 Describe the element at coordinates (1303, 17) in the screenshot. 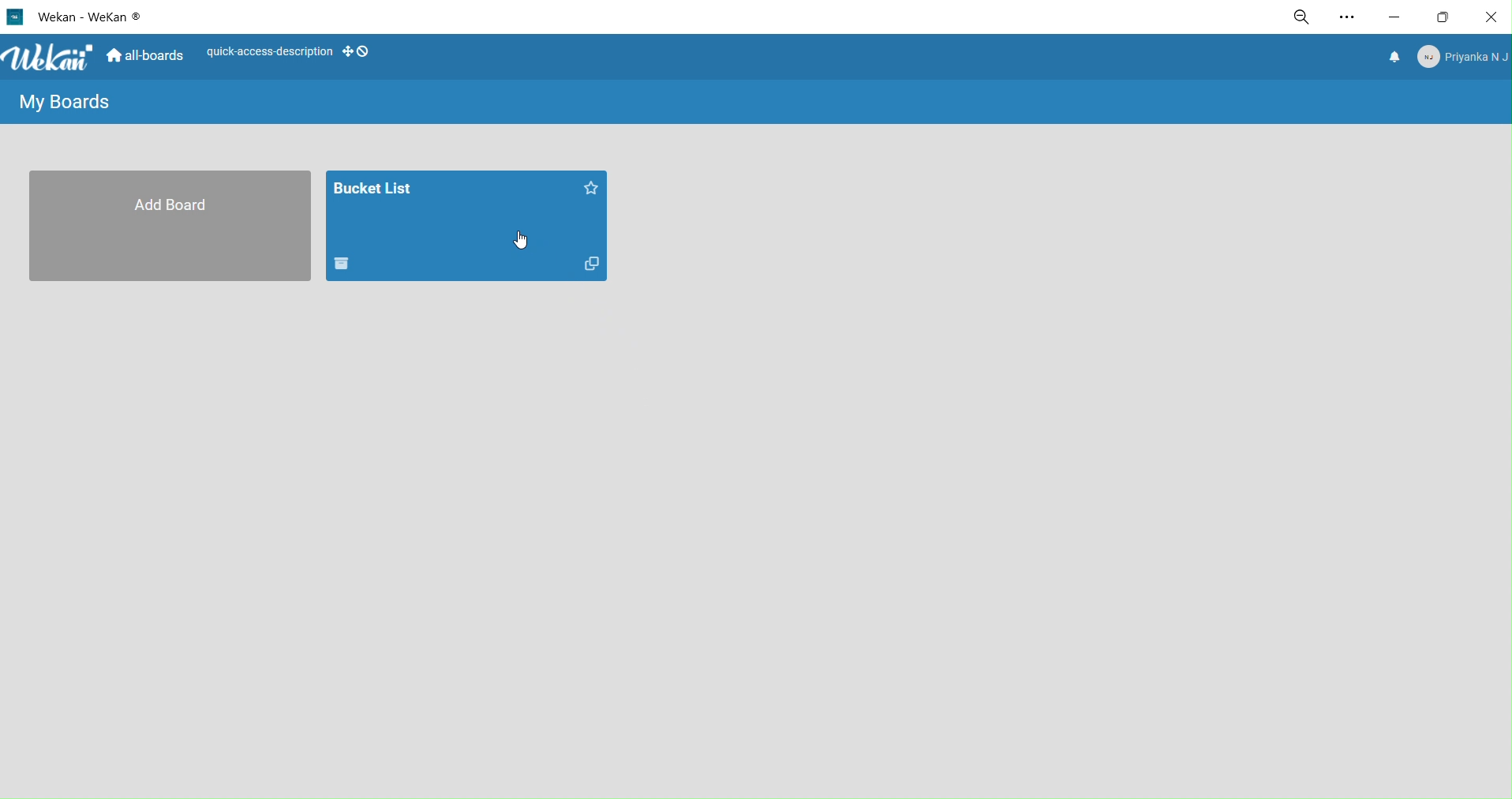

I see `zoom` at that location.